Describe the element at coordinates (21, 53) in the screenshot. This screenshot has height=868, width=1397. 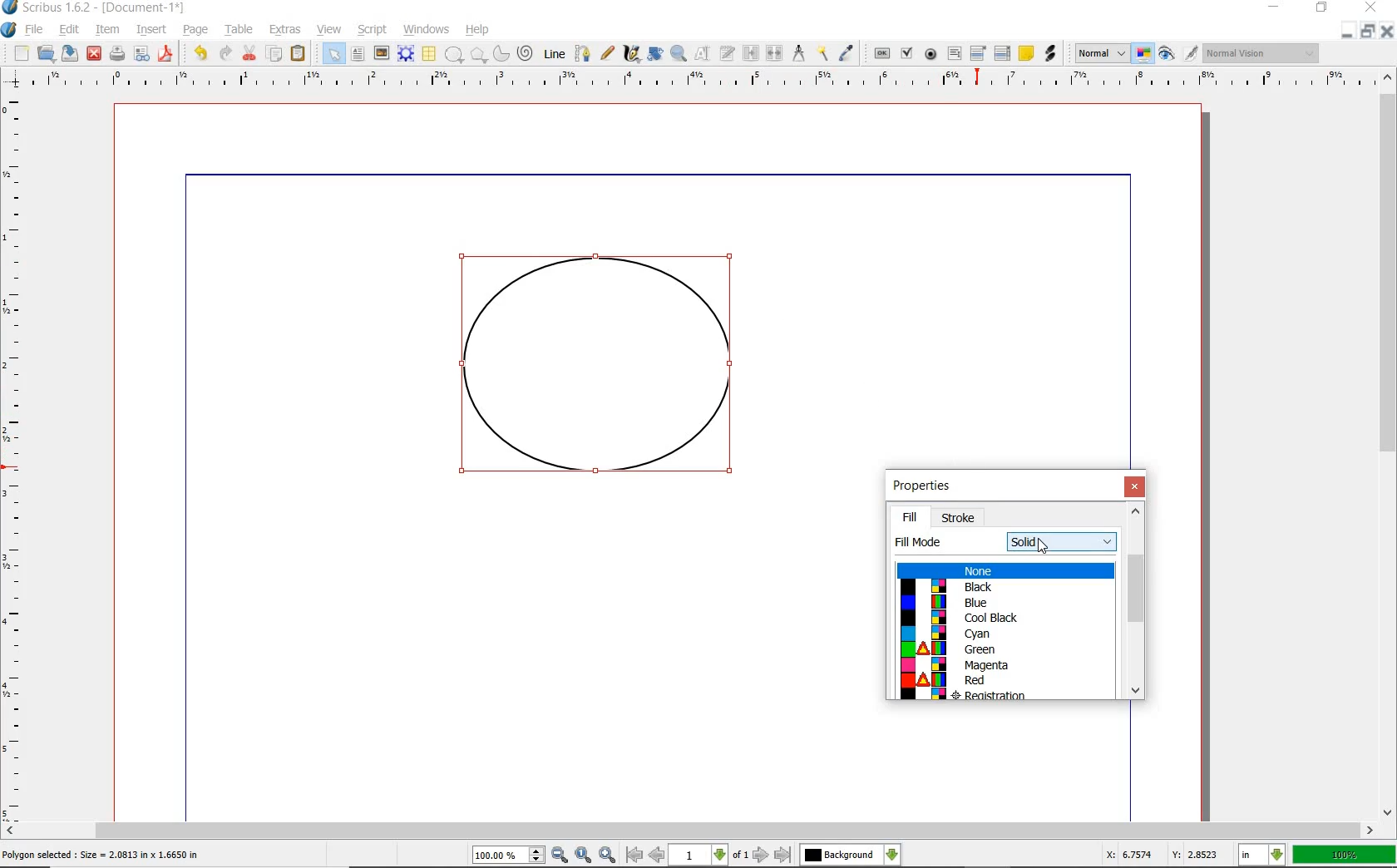
I see `NEW` at that location.